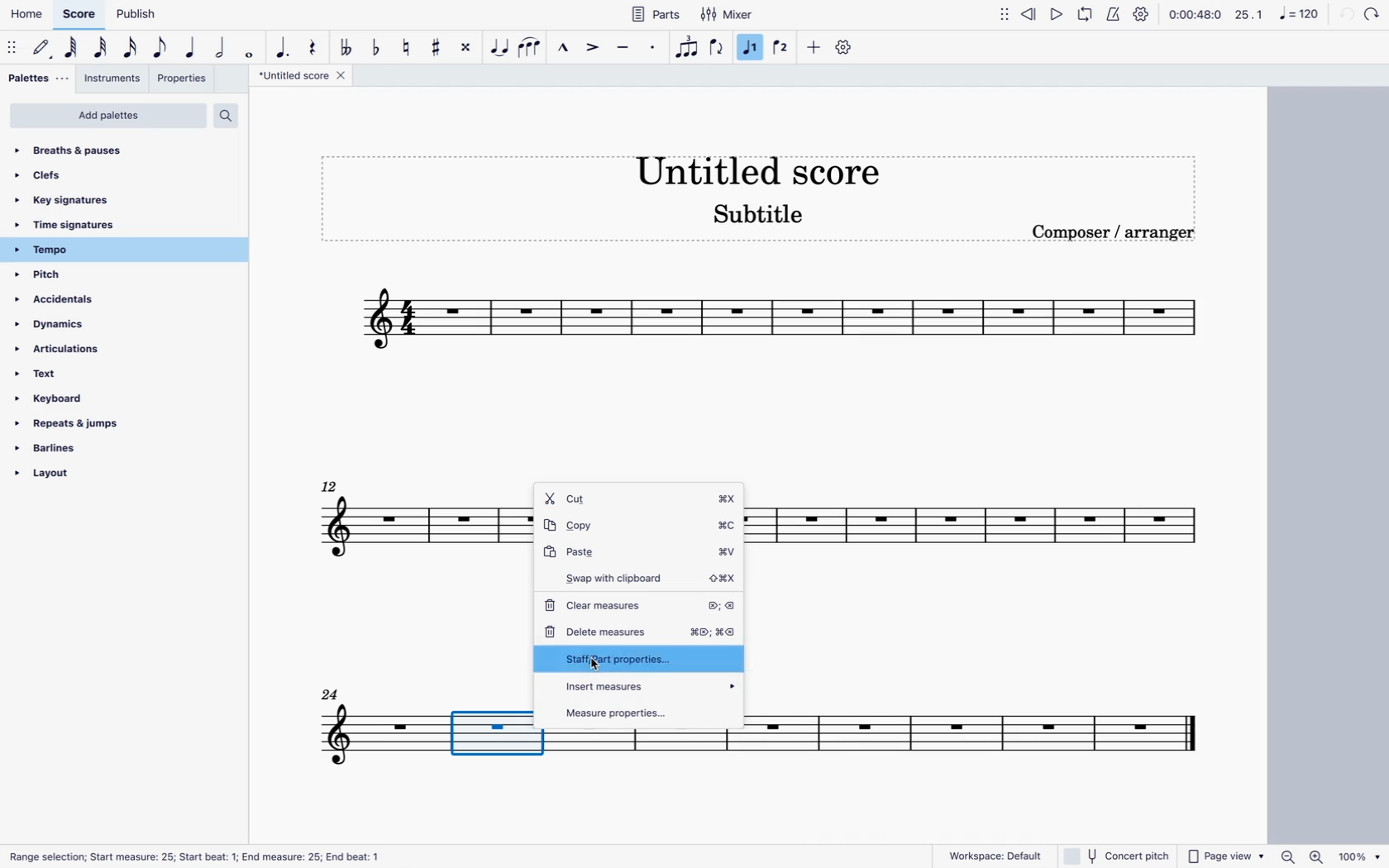  I want to click on text, so click(68, 375).